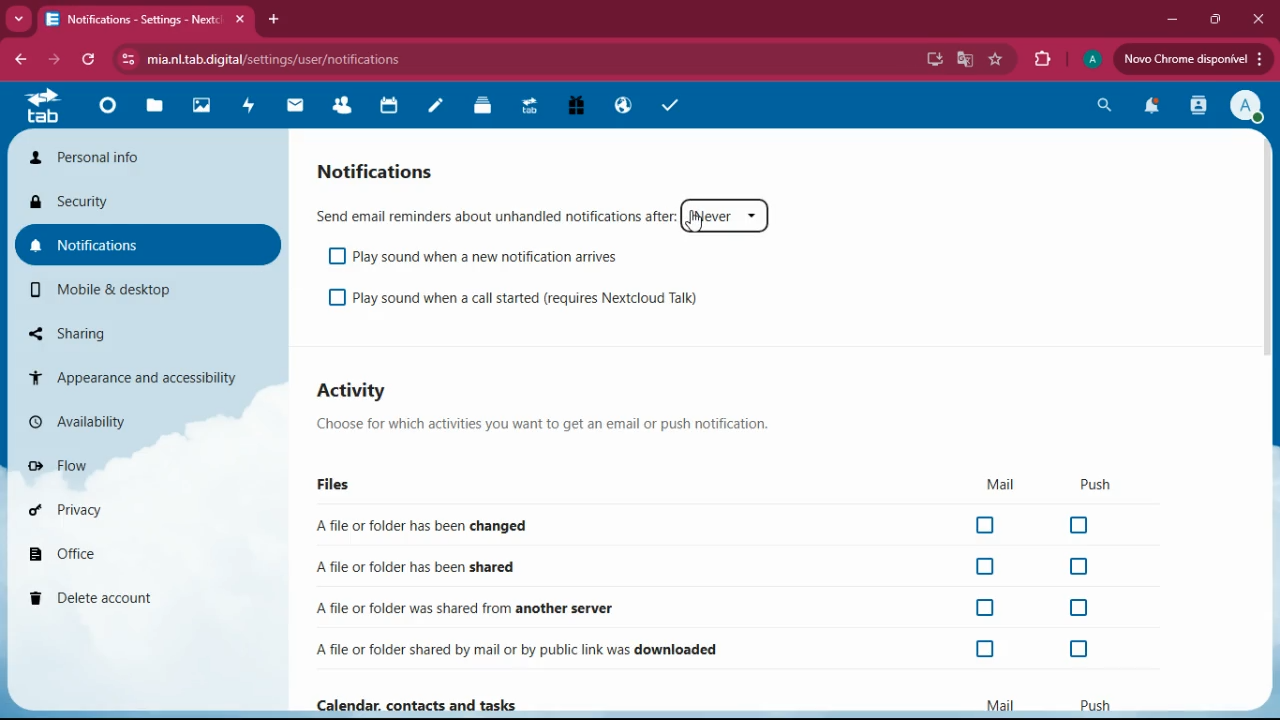 Image resolution: width=1280 pixels, height=720 pixels. What do you see at coordinates (108, 333) in the screenshot?
I see `sharing` at bounding box center [108, 333].